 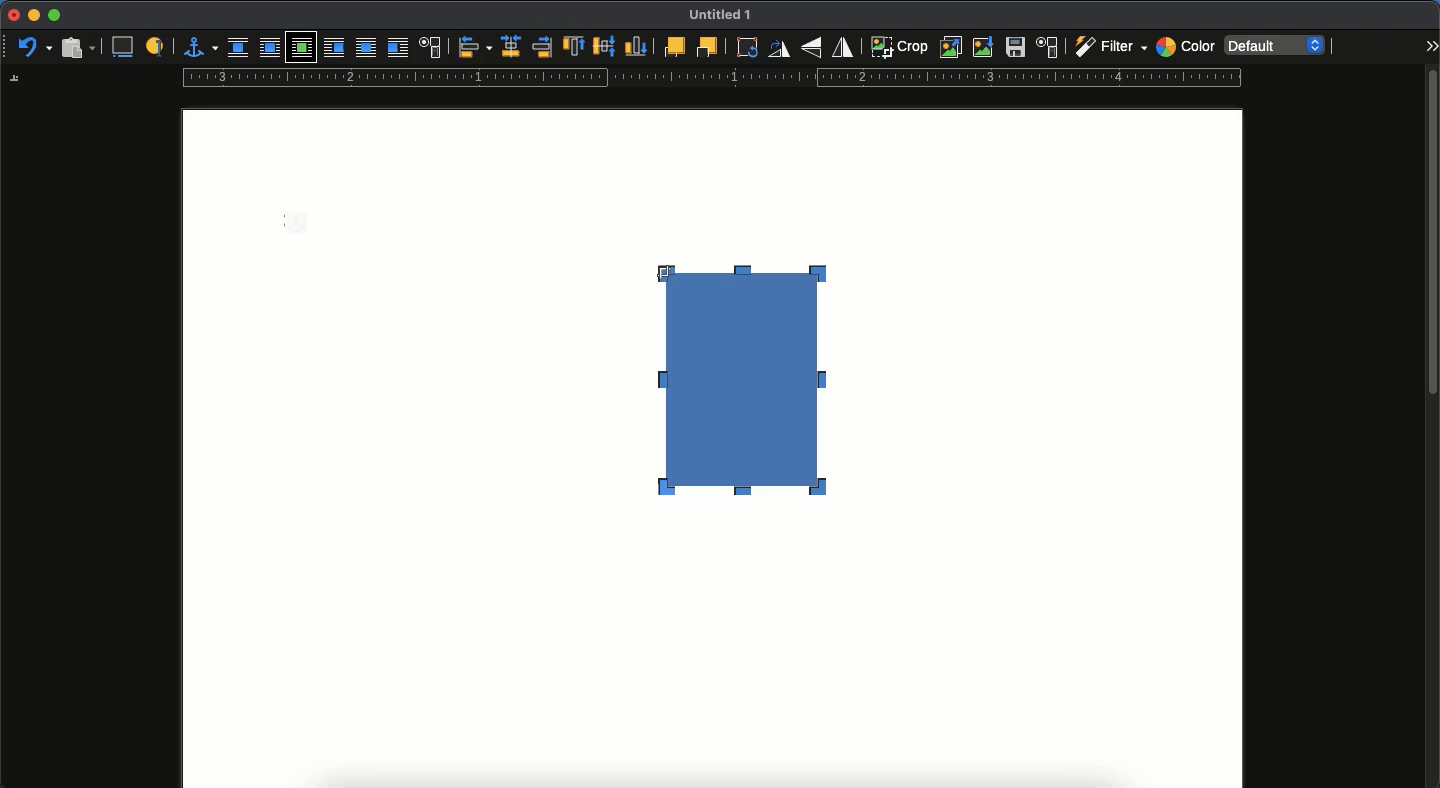 I want to click on rotate, so click(x=744, y=47).